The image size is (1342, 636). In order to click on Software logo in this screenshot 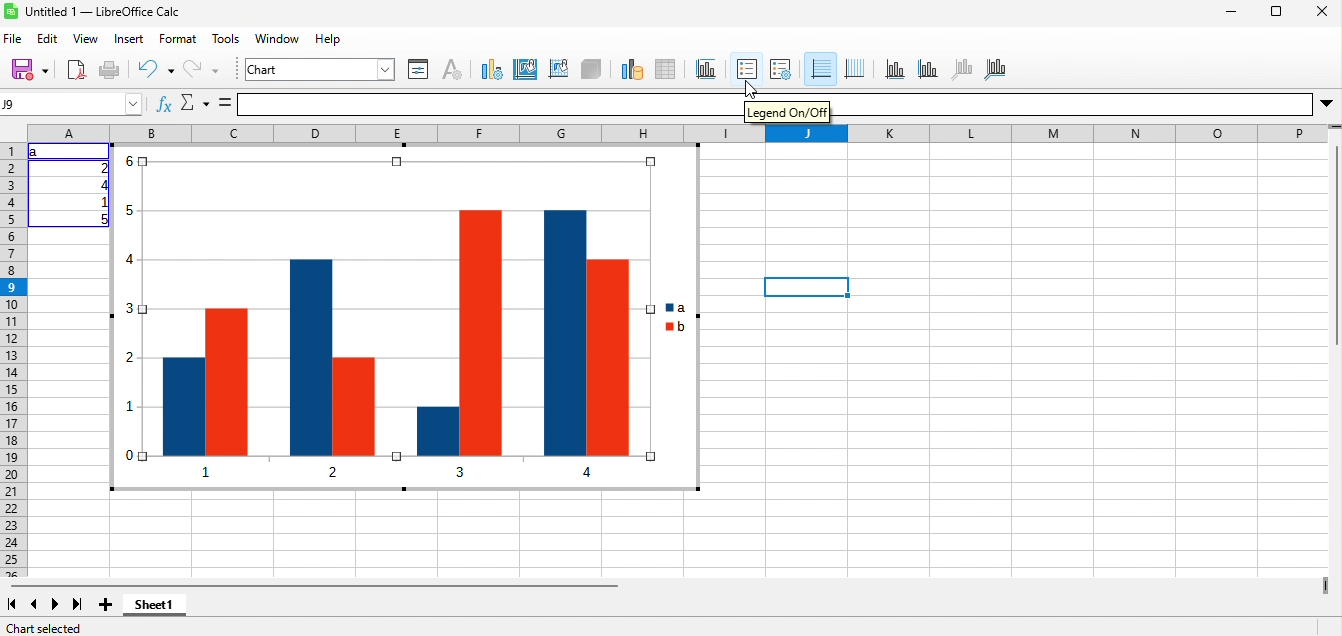, I will do `click(11, 11)`.